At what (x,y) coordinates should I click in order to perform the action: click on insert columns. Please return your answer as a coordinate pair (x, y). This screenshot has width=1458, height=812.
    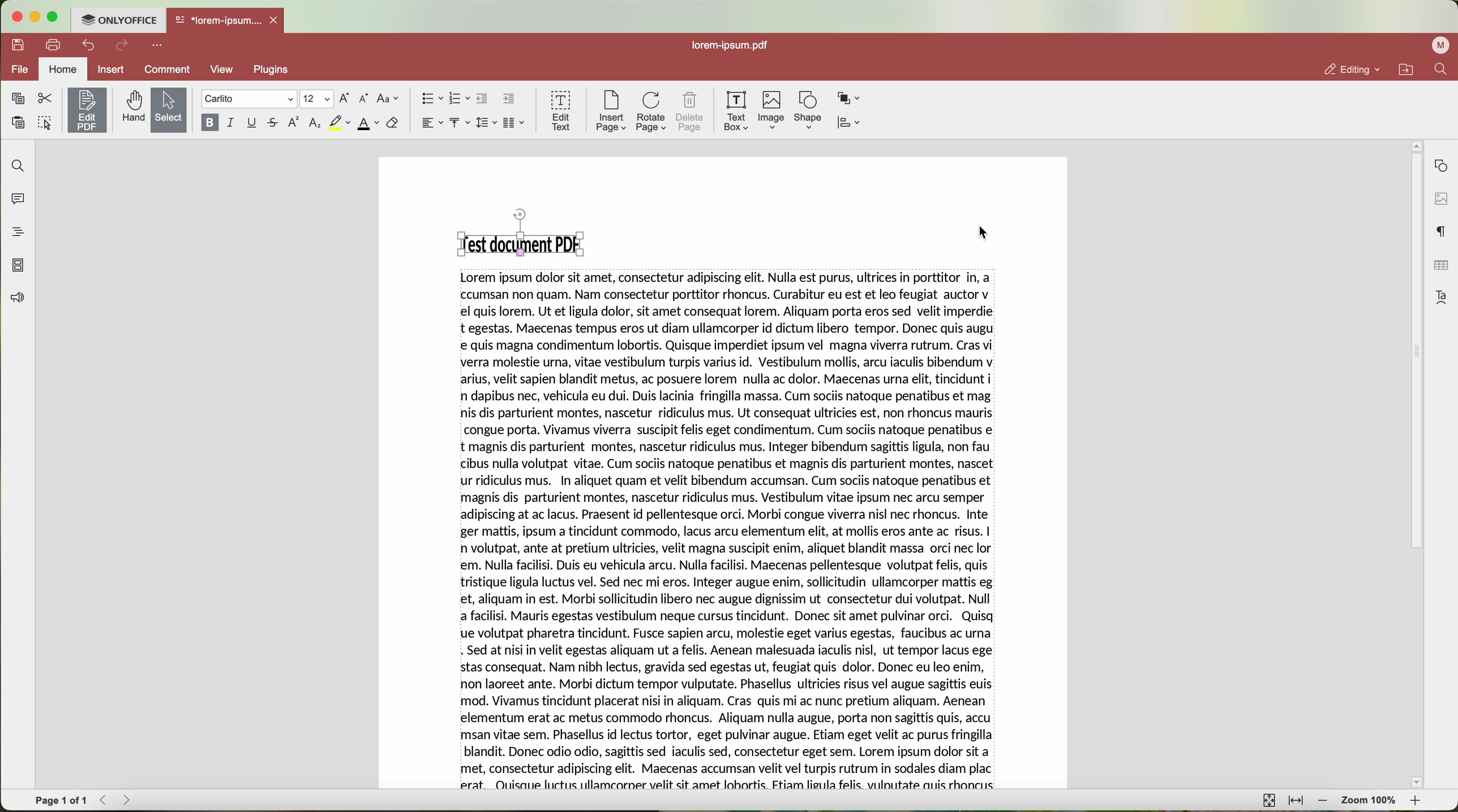
    Looking at the image, I should click on (516, 123).